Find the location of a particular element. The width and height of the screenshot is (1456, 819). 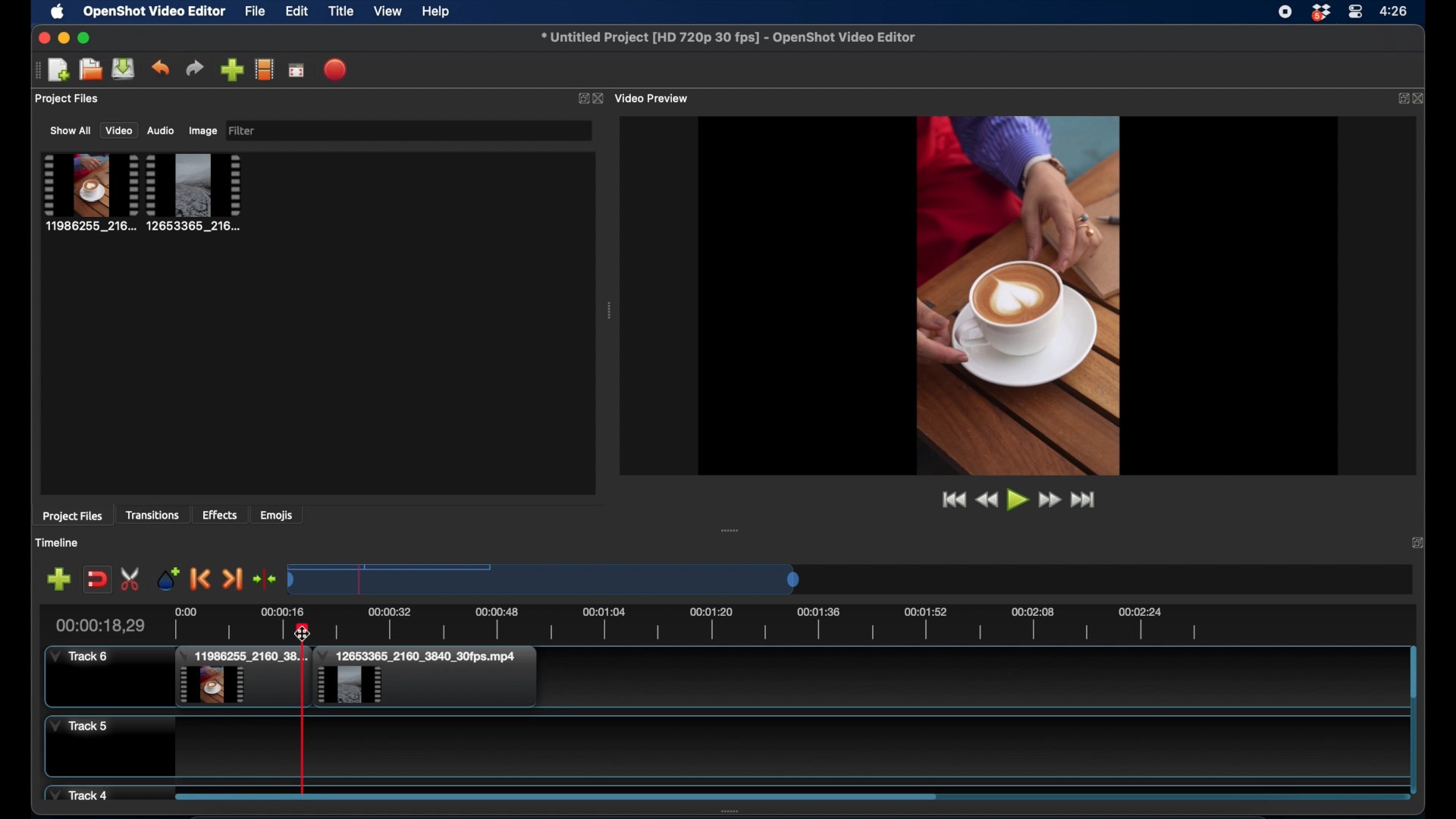

add marker is located at coordinates (58, 579).